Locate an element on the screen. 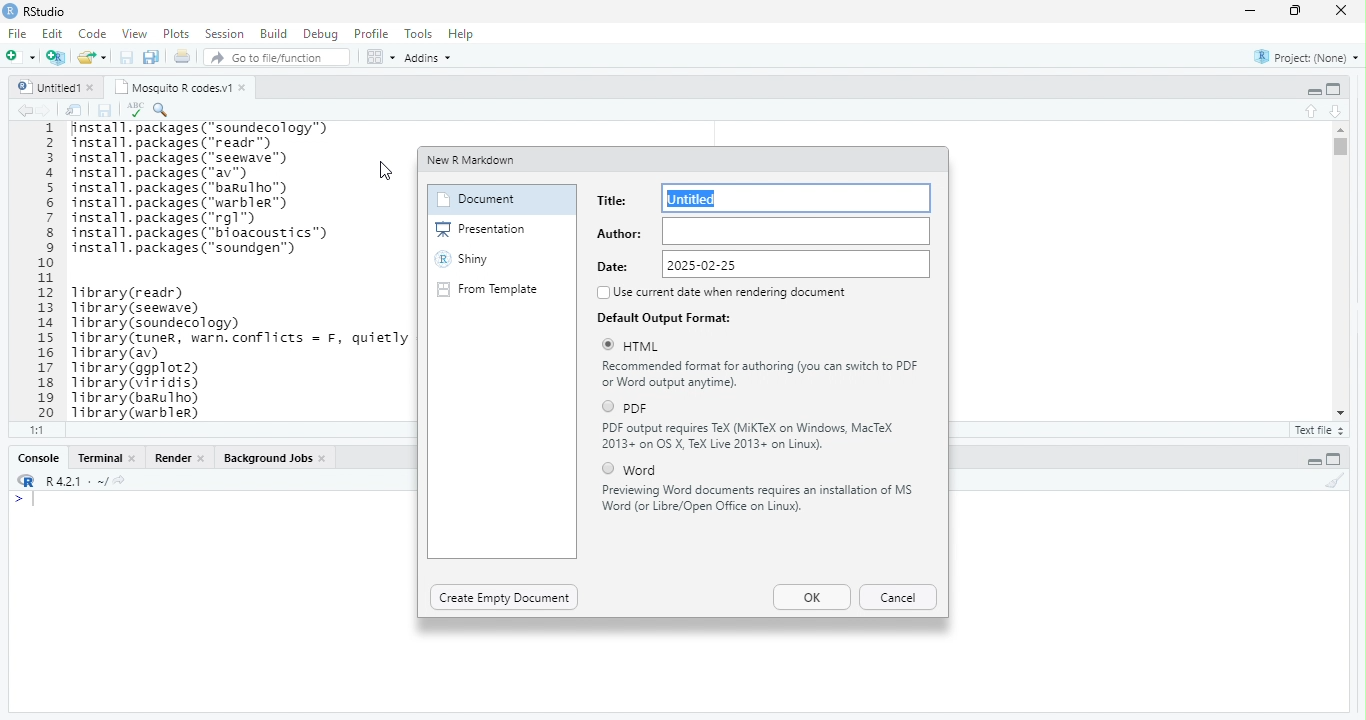 The image size is (1366, 720). Console is located at coordinates (40, 458).